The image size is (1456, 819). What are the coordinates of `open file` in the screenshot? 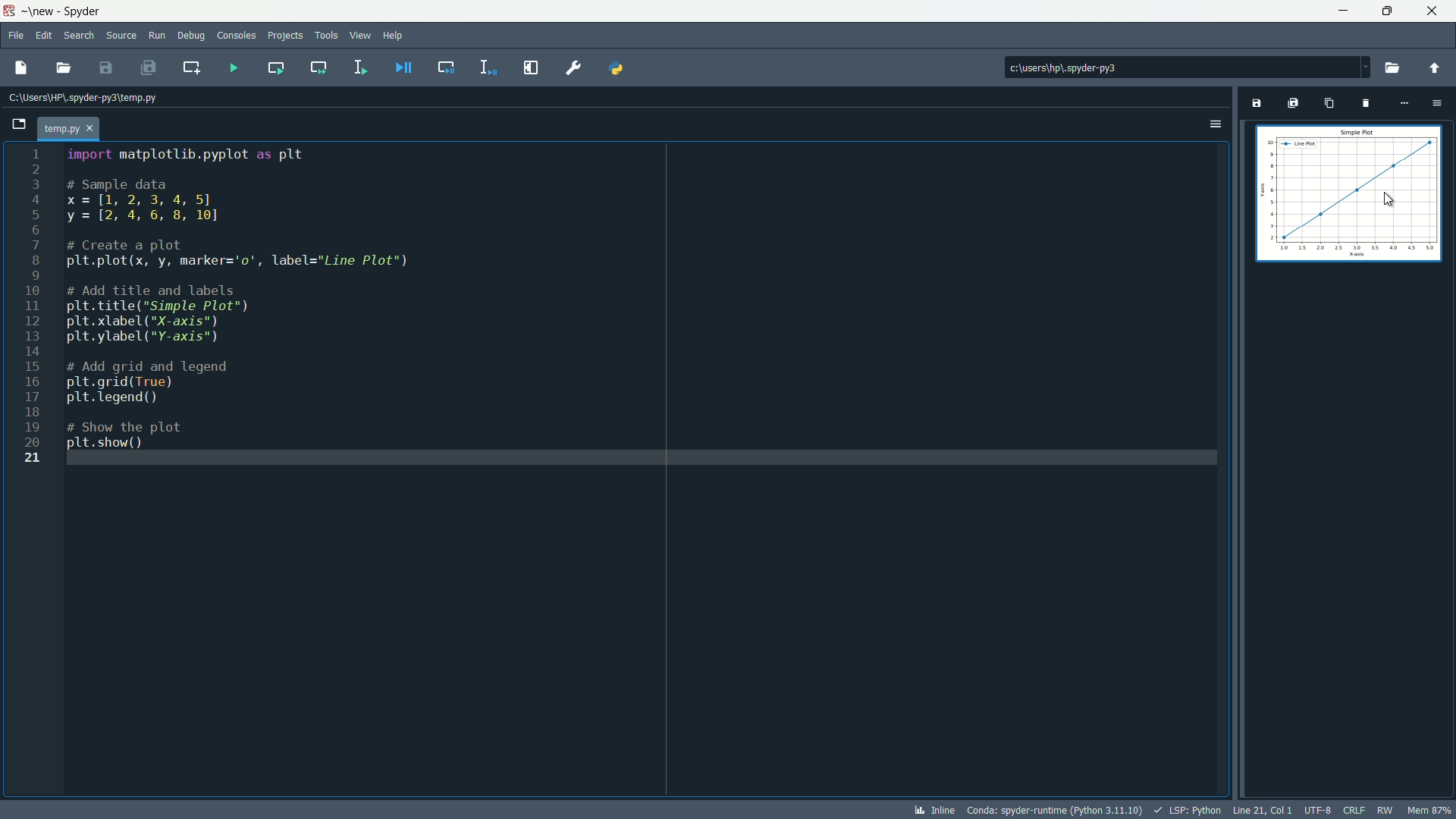 It's located at (66, 67).